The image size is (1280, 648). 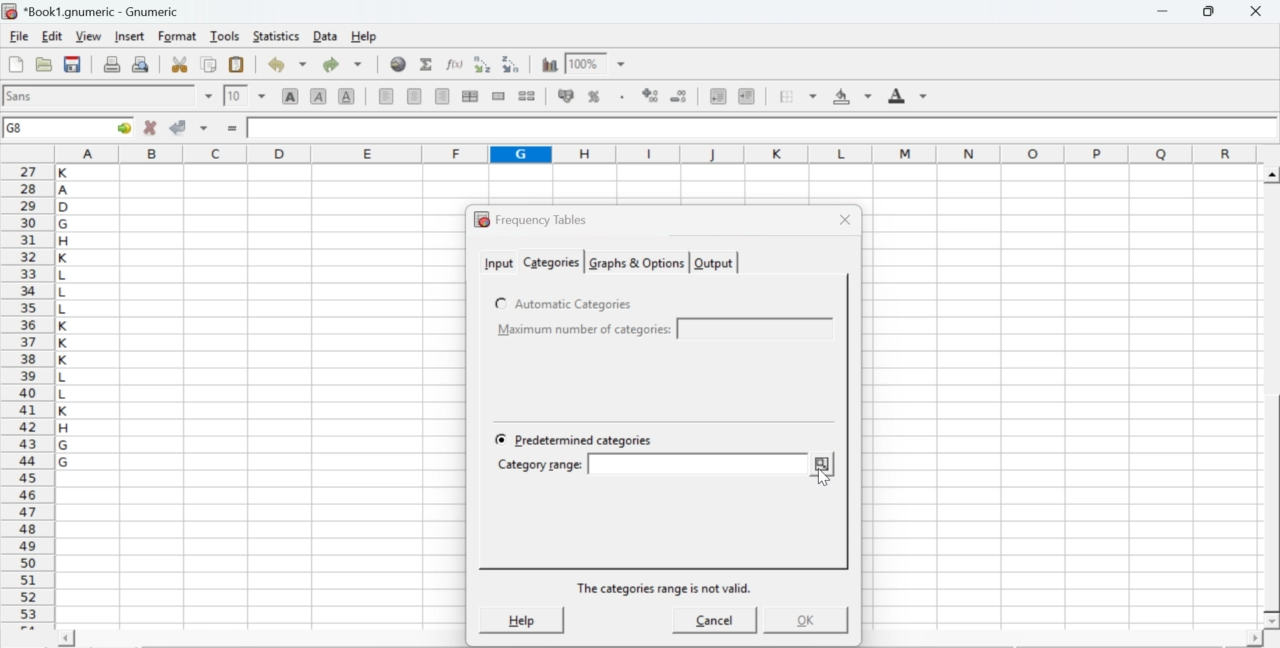 I want to click on format selection as accounting, so click(x=566, y=95).